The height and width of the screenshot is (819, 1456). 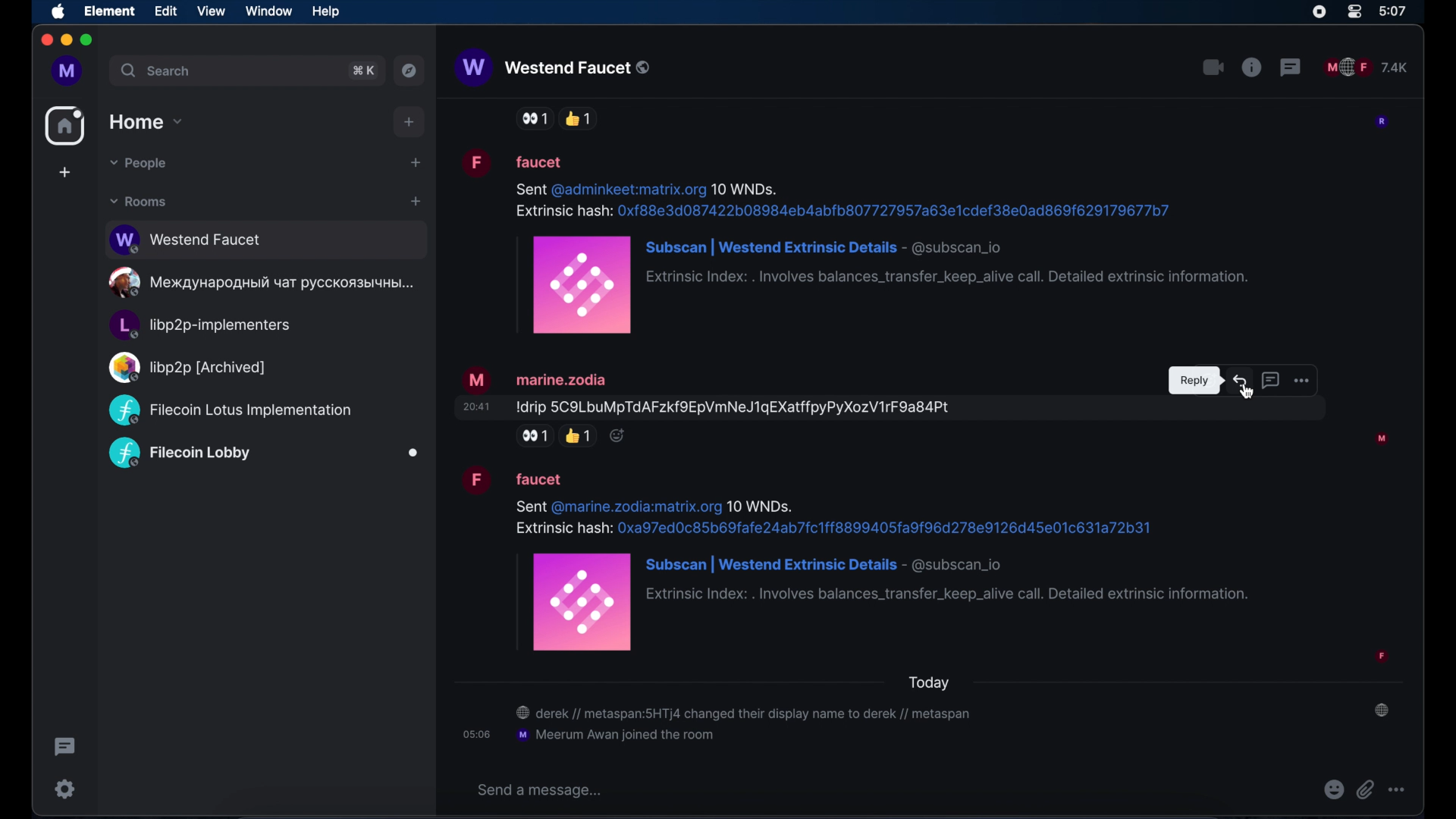 I want to click on explore public rooms, so click(x=409, y=71).